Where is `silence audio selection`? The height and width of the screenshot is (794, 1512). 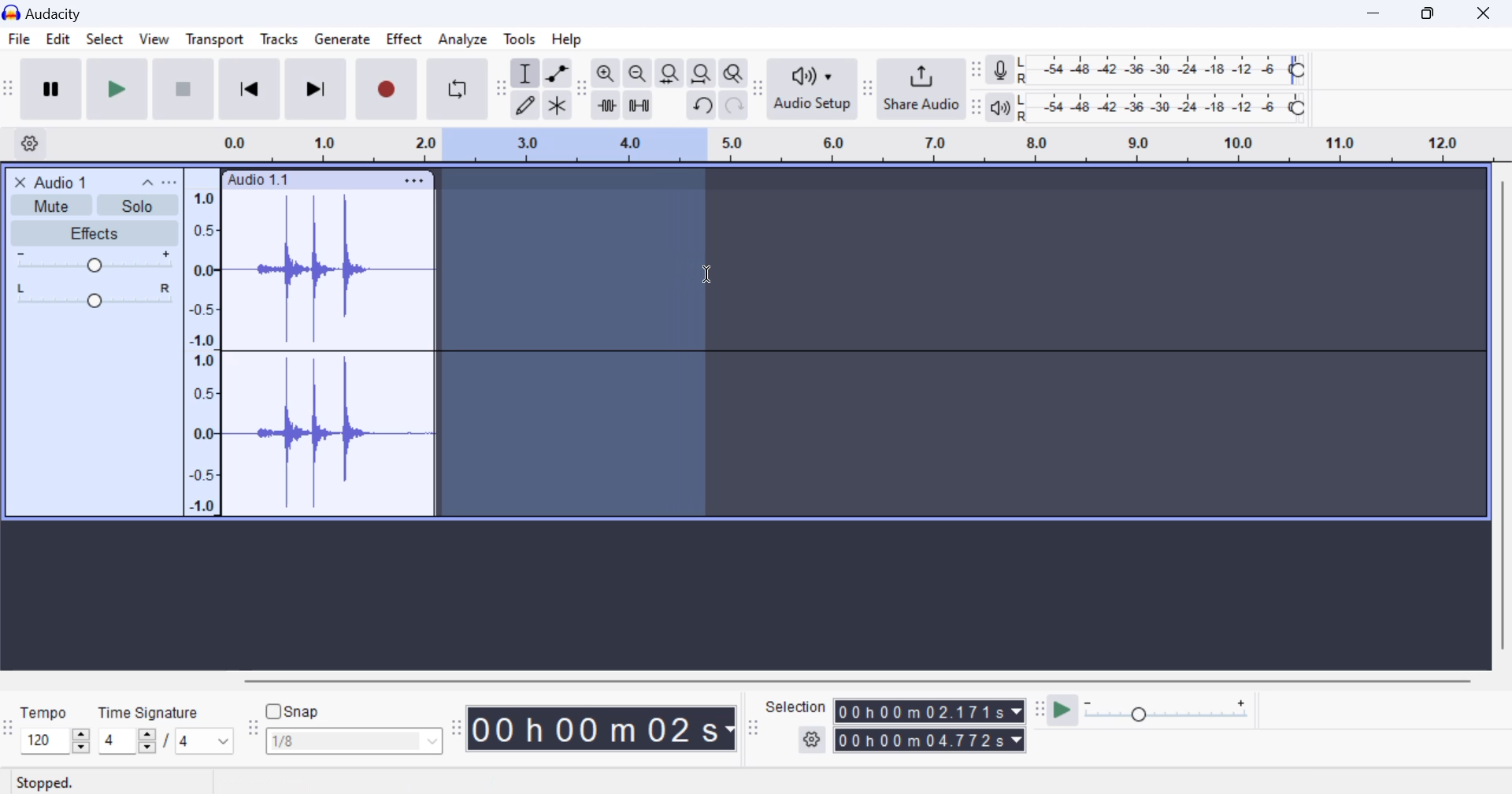
silence audio selection is located at coordinates (639, 106).